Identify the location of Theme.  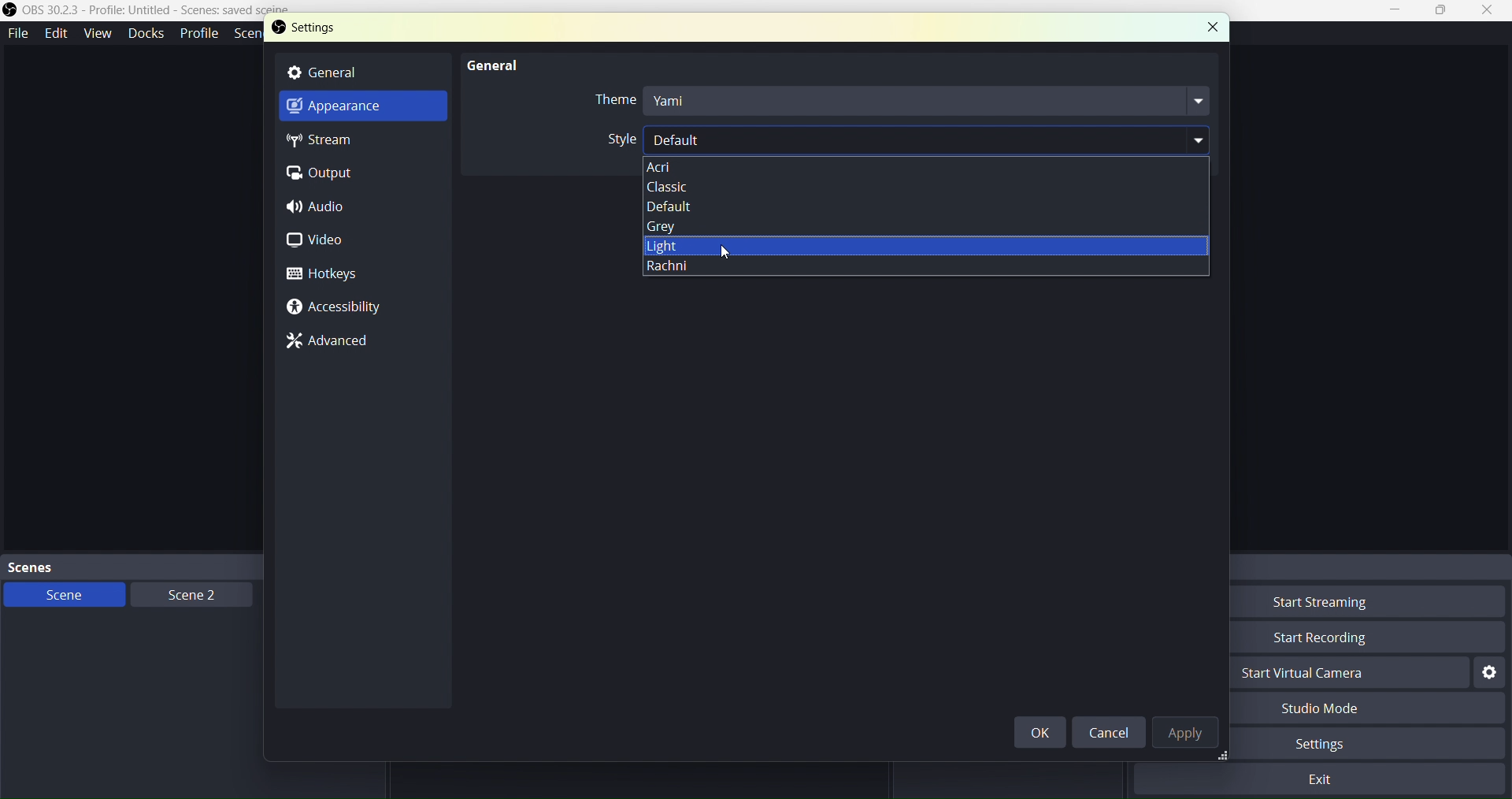
(899, 102).